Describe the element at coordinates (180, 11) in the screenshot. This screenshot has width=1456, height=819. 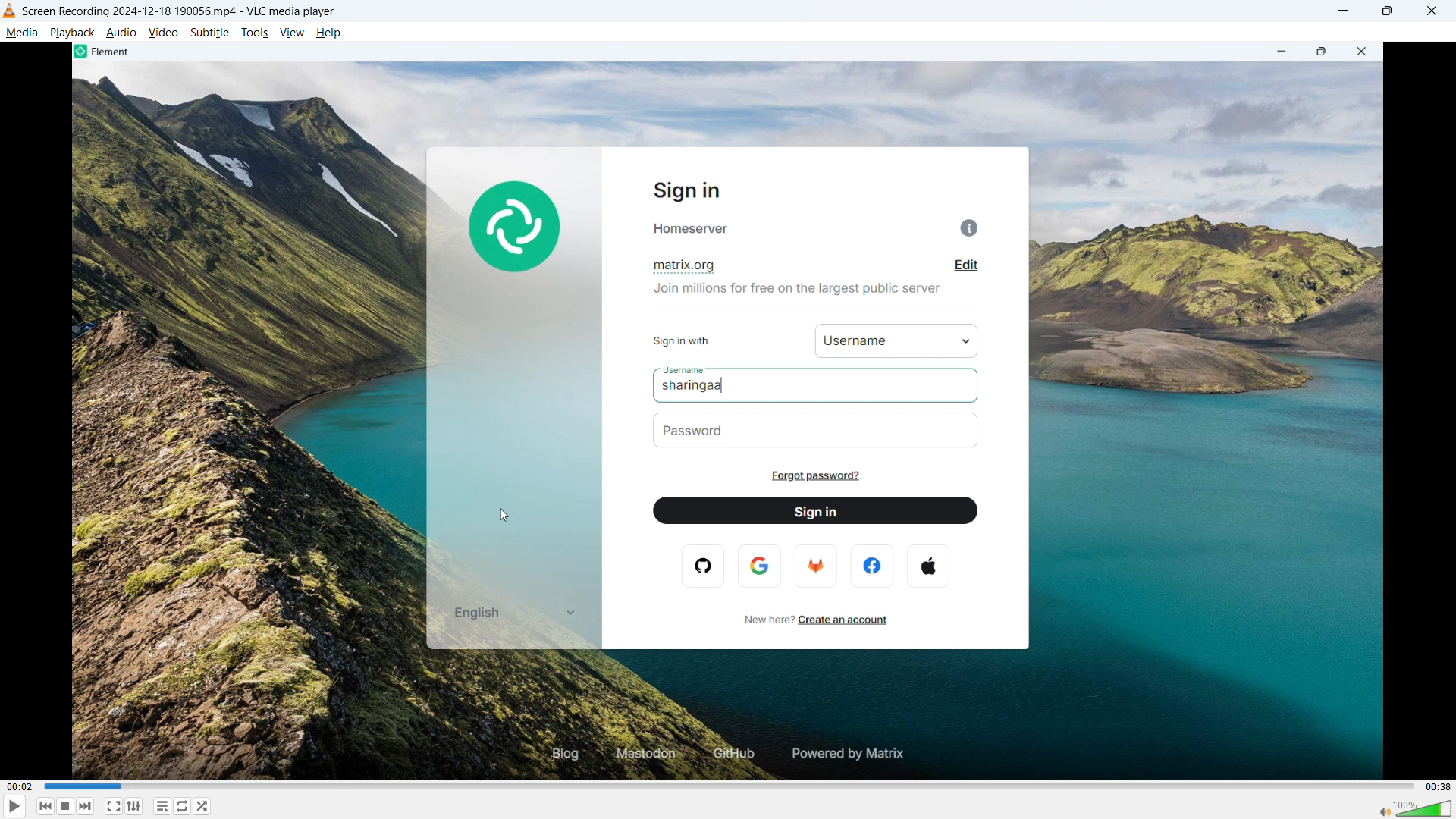
I see `Screen recording 2024-12-18 190056.mp4 - VLC media player` at that location.